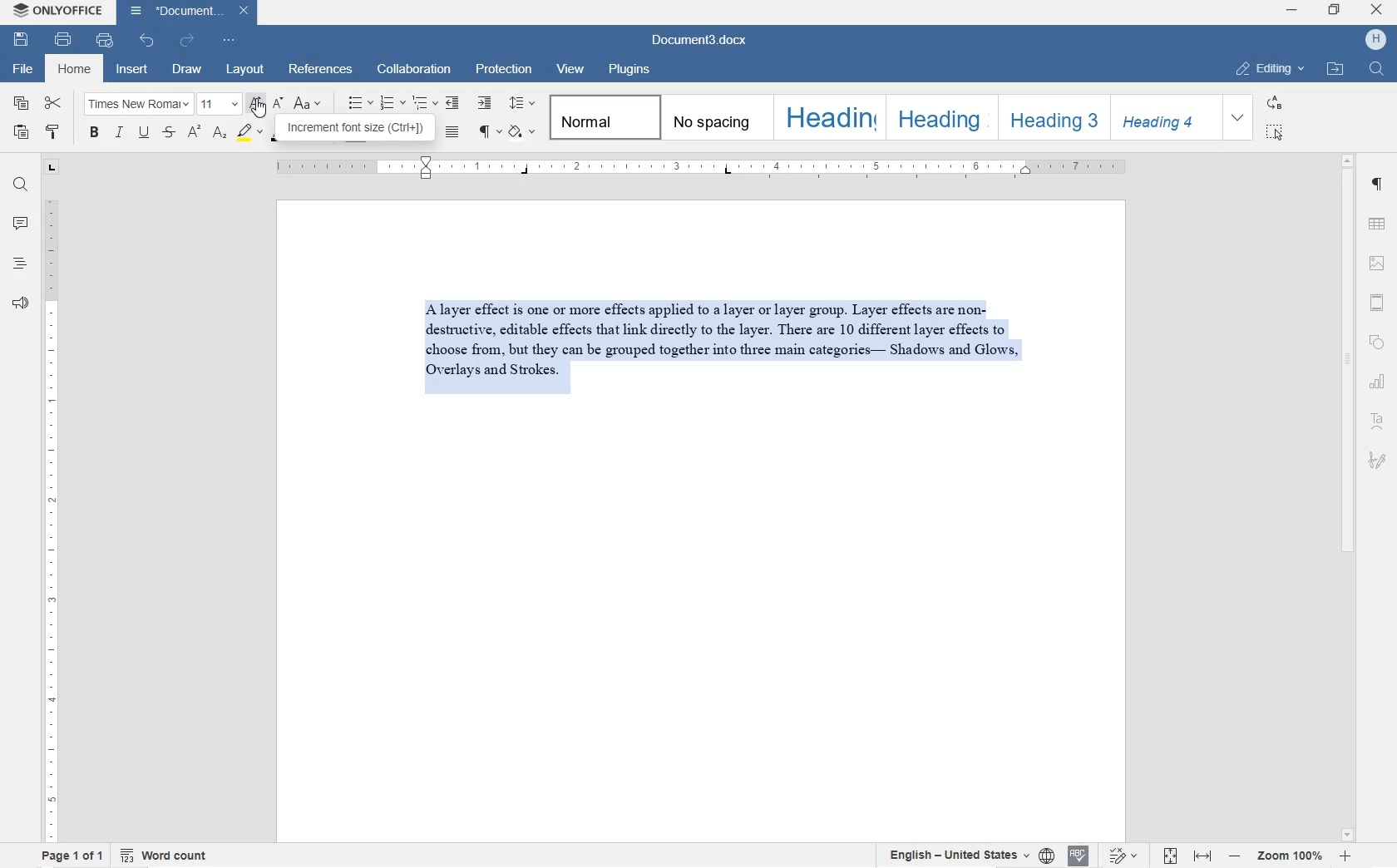 The image size is (1397, 868). What do you see at coordinates (522, 104) in the screenshot?
I see `PARAGRAPH LINE SPACING` at bounding box center [522, 104].